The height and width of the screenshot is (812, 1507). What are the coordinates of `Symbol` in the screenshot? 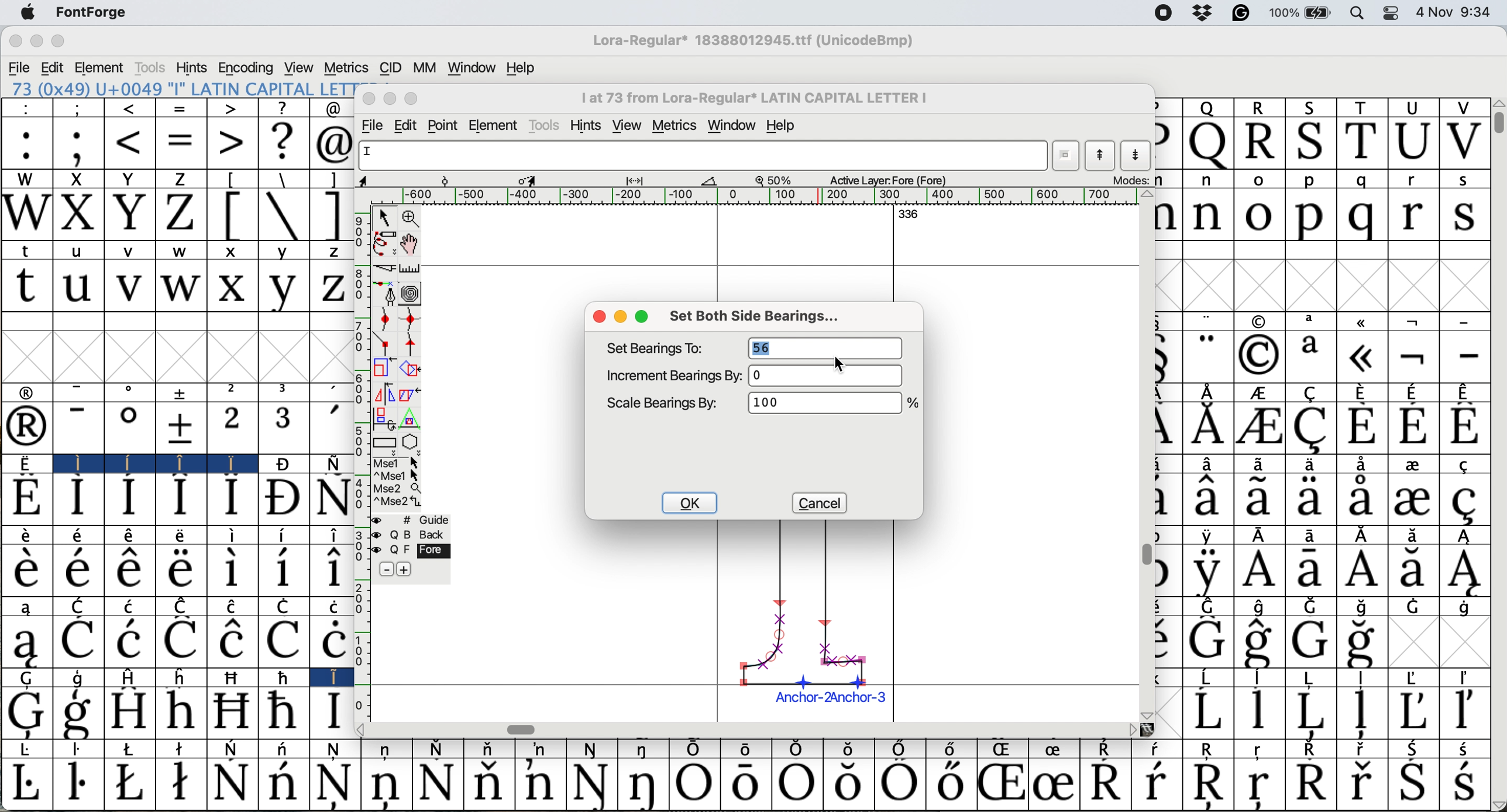 It's located at (1108, 749).